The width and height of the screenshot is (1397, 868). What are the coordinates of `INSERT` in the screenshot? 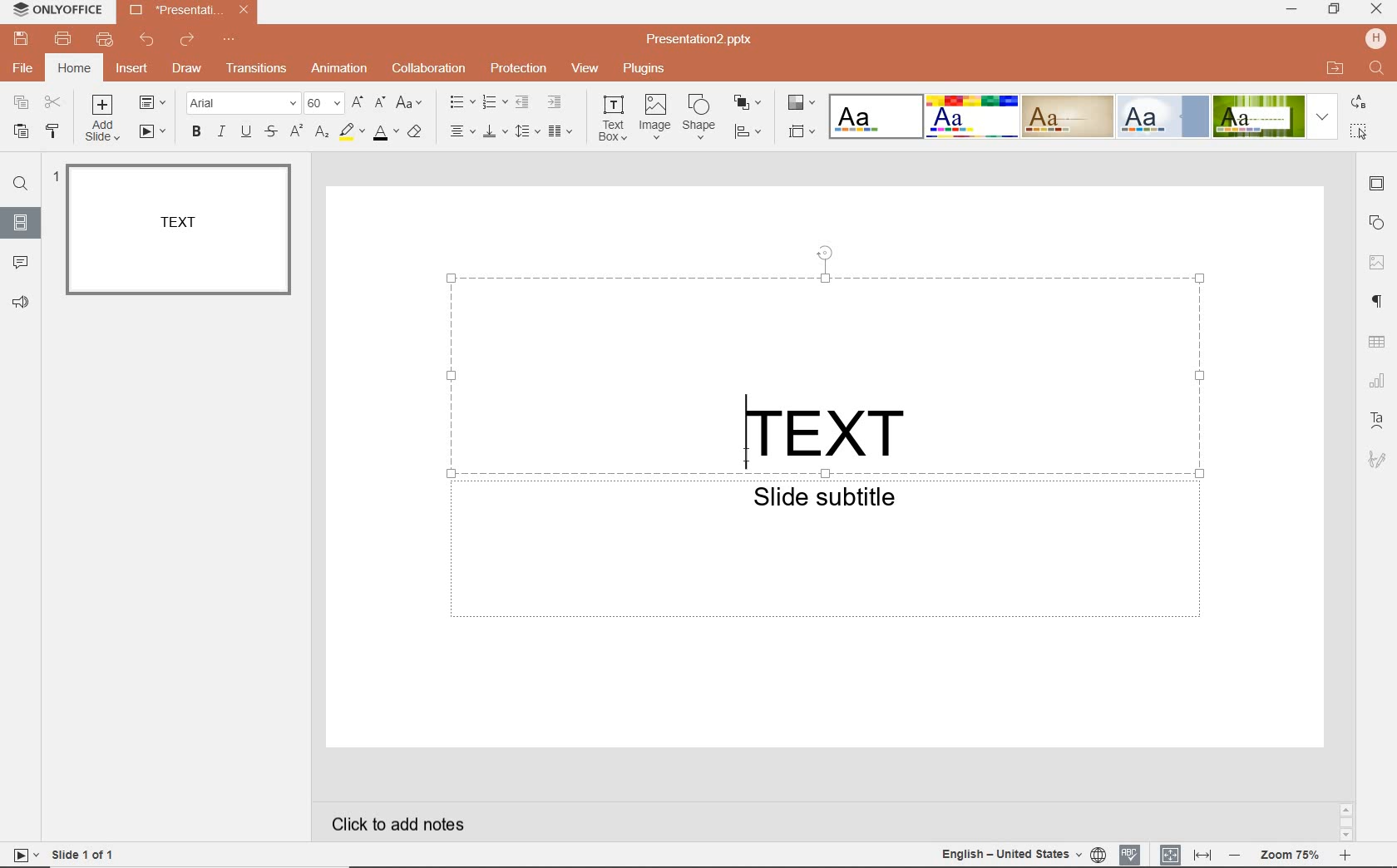 It's located at (131, 72).